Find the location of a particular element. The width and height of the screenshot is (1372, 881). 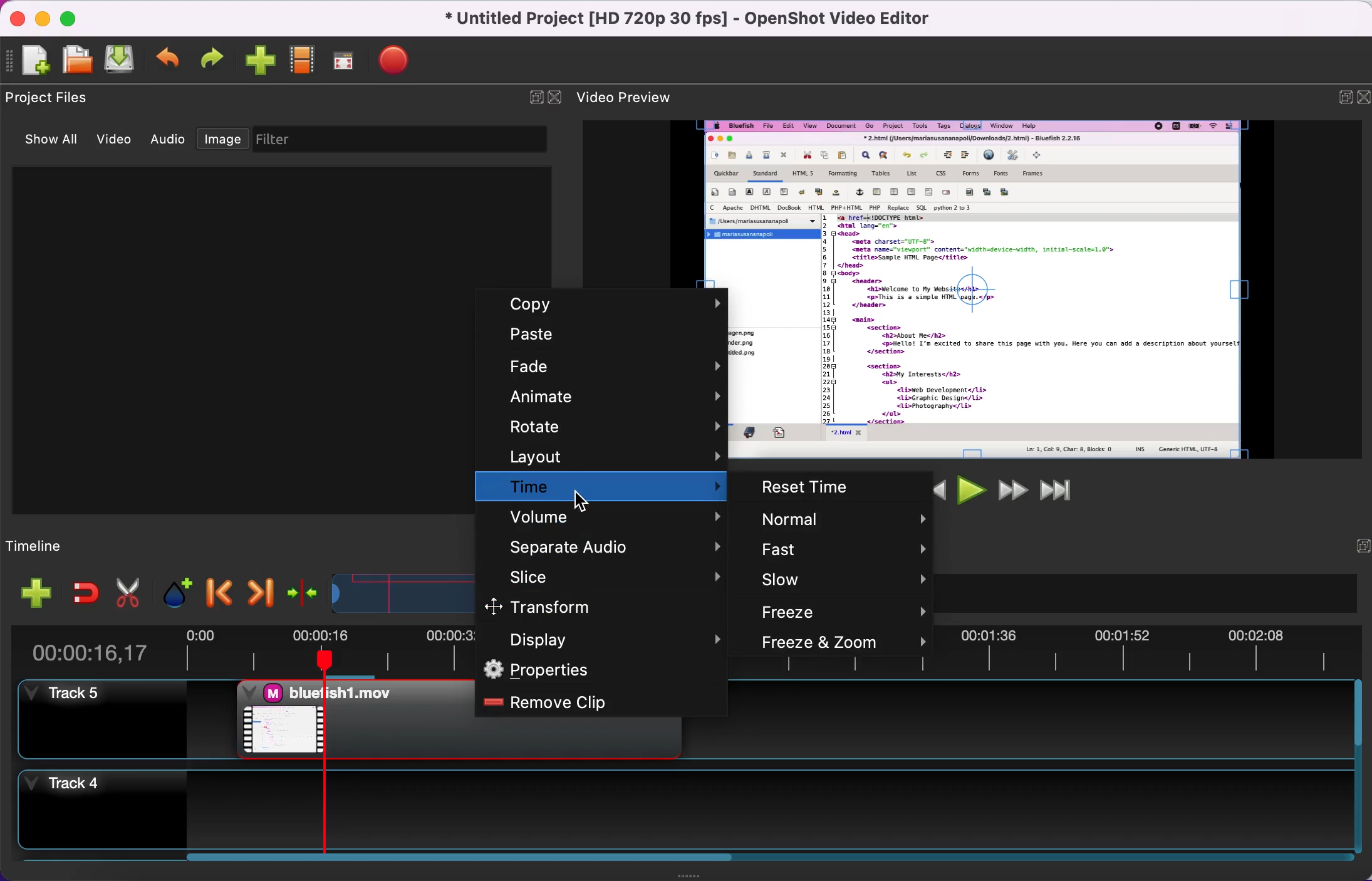

add marker is located at coordinates (172, 589).